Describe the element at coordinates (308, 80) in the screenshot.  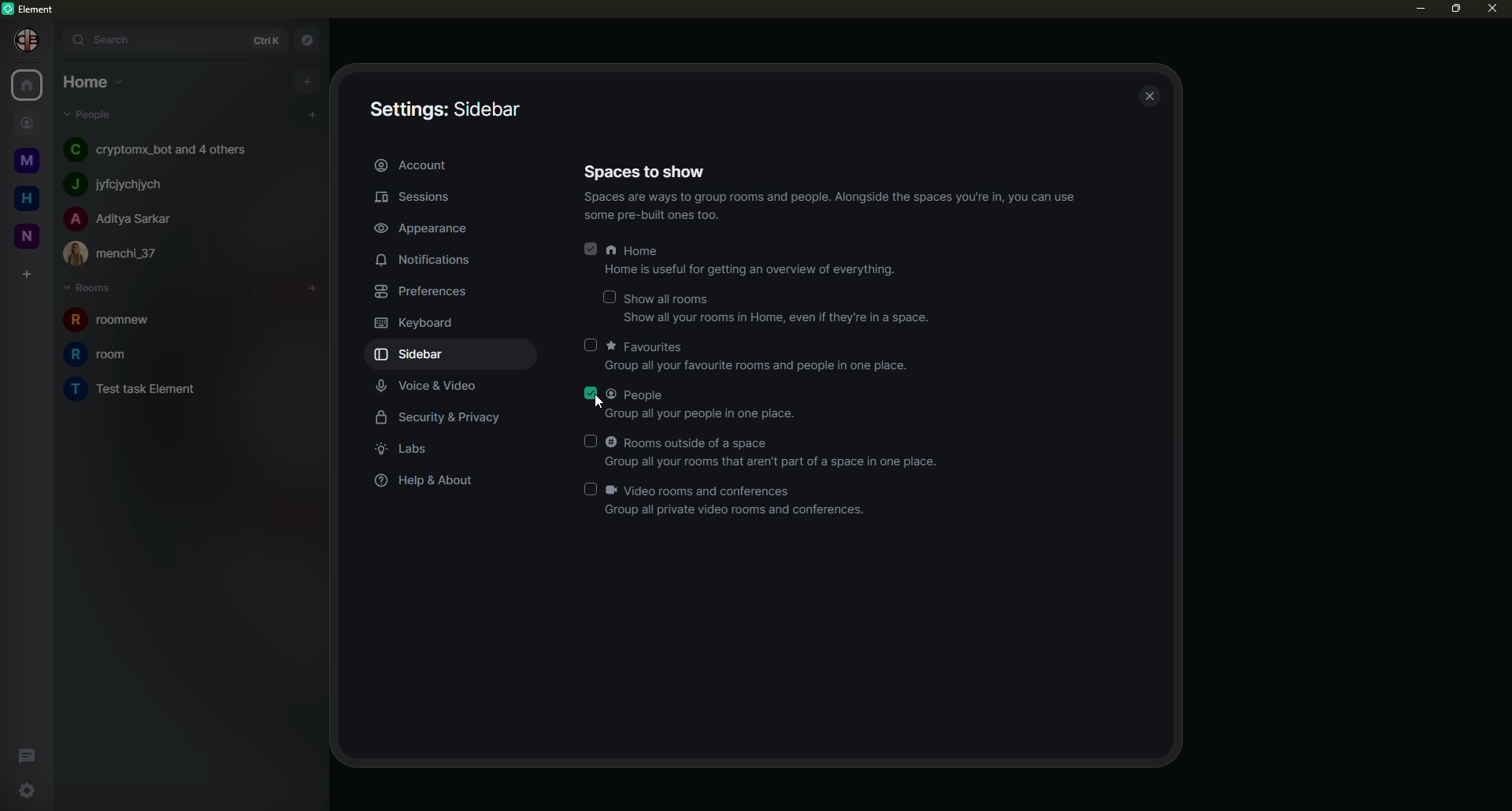
I see `add` at that location.